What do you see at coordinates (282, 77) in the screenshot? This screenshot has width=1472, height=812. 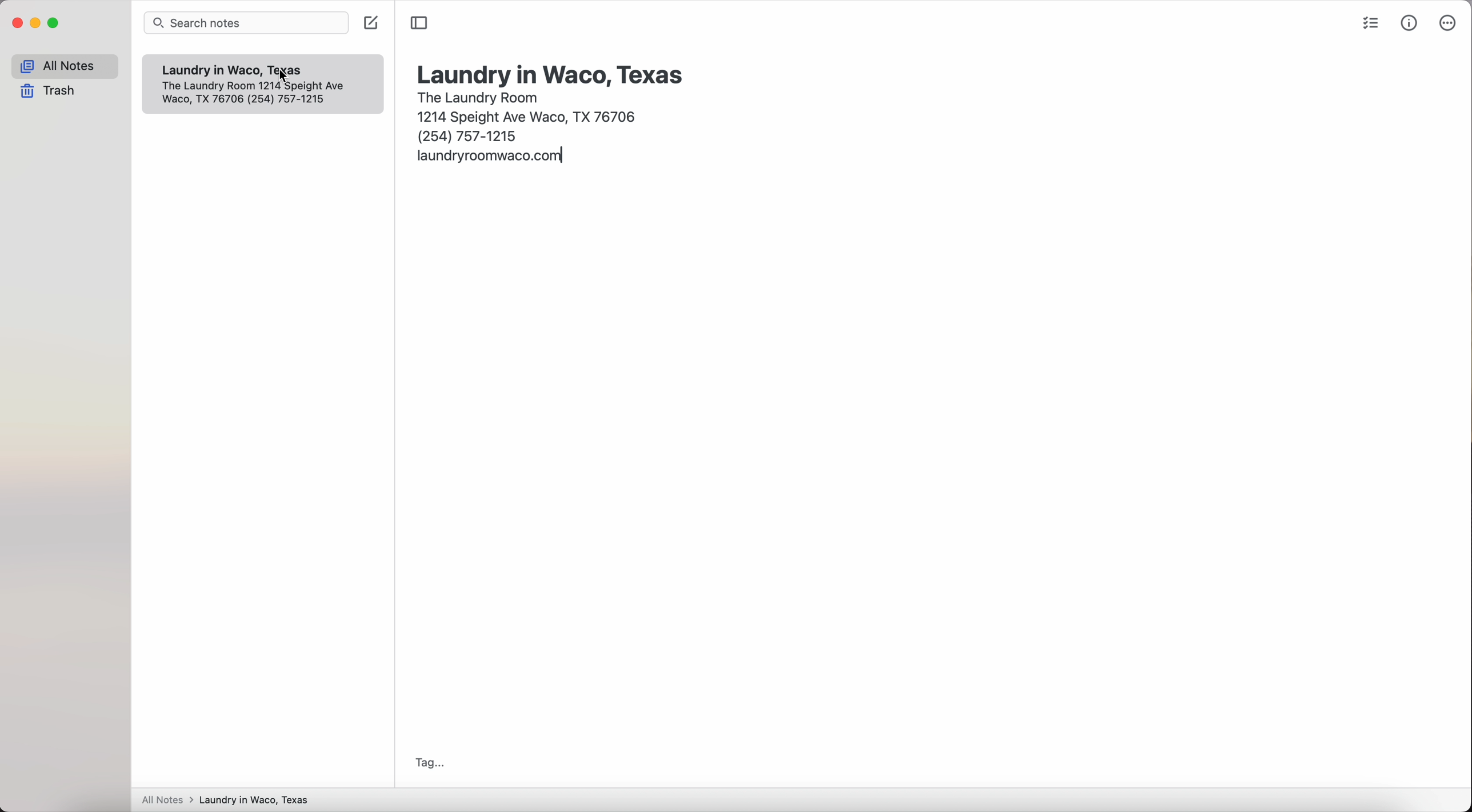 I see `cursor` at bounding box center [282, 77].